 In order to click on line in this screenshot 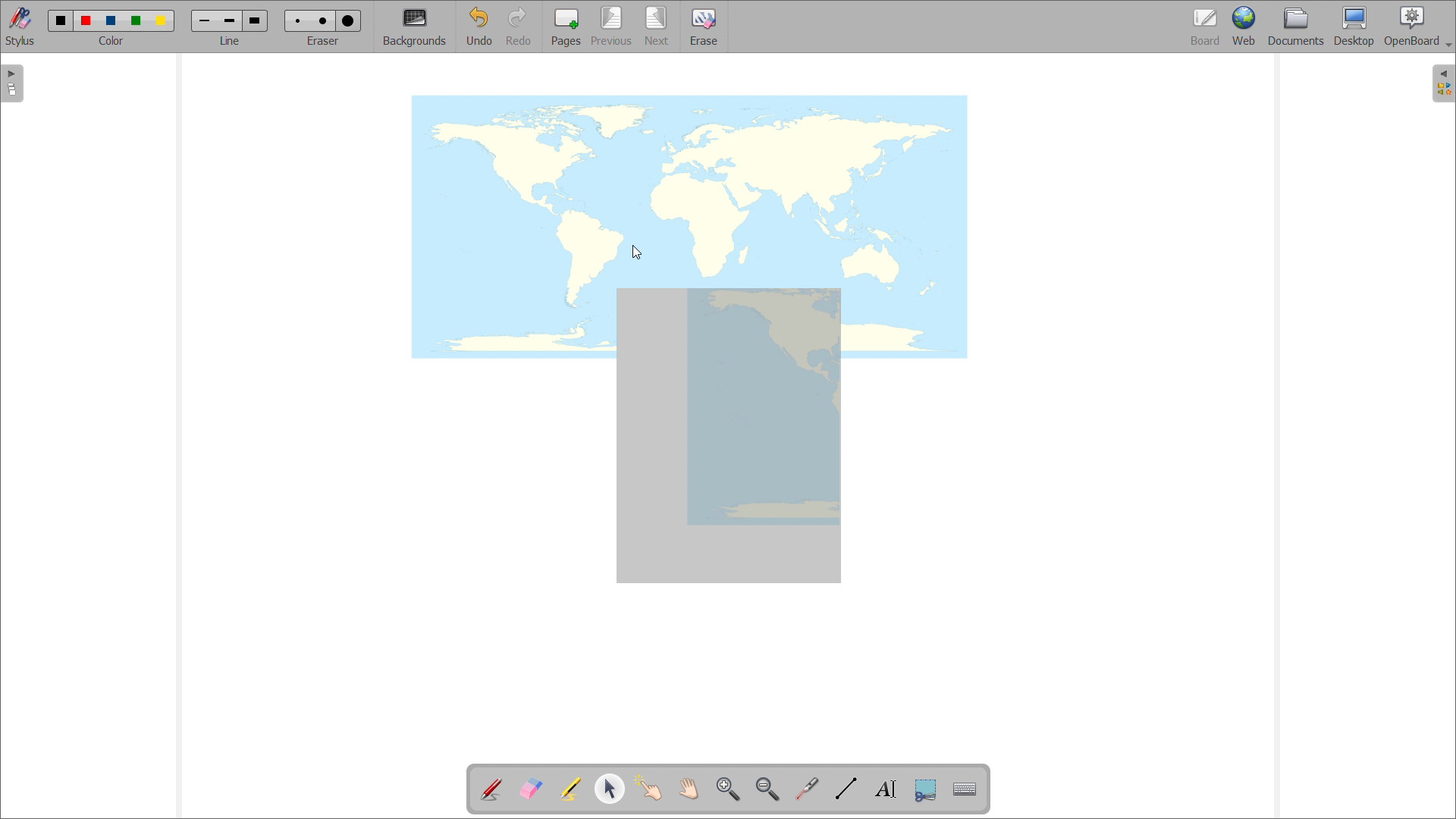, I will do `click(230, 40)`.